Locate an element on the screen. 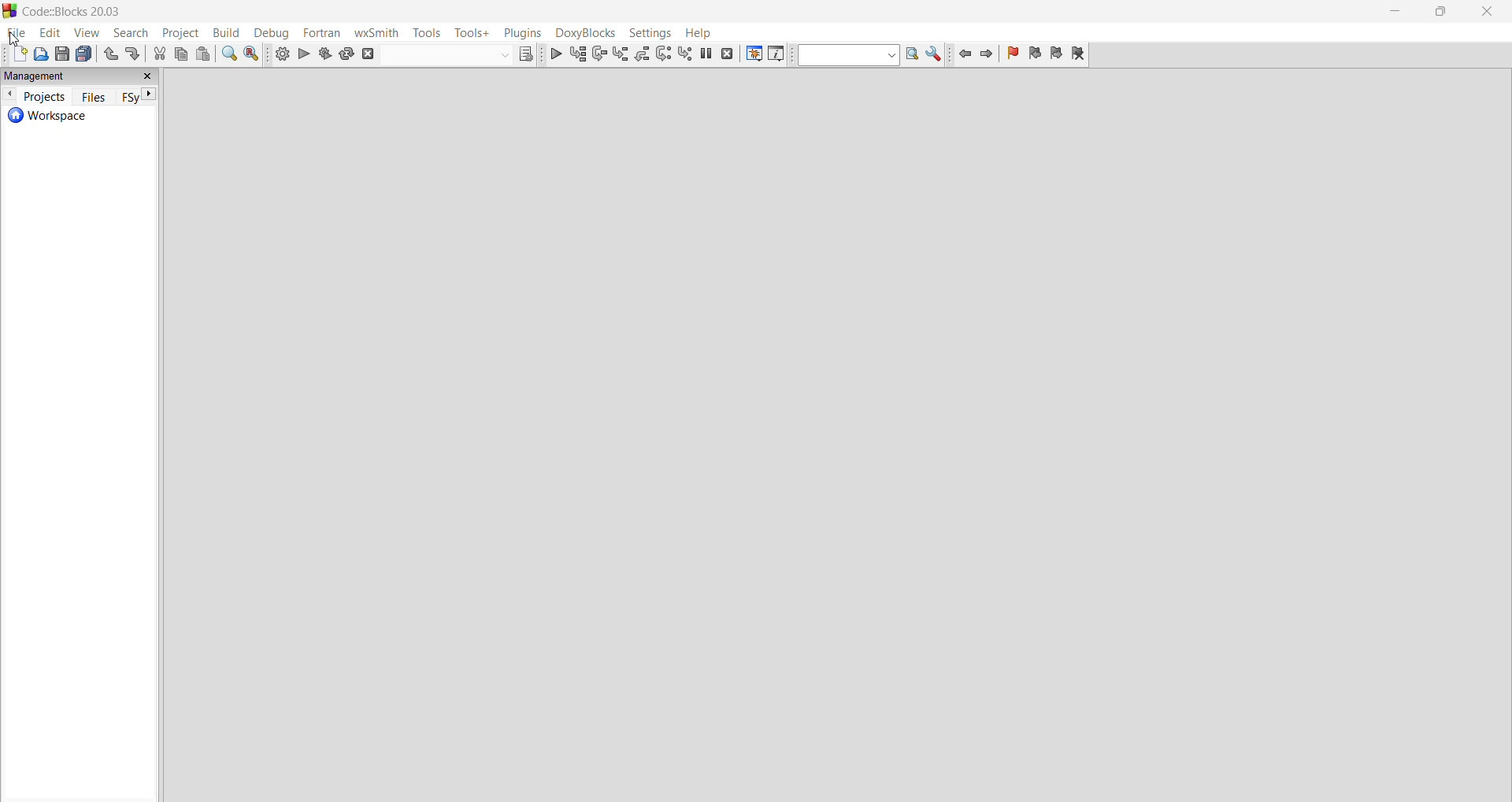 The image size is (1512, 802). abort is located at coordinates (369, 57).